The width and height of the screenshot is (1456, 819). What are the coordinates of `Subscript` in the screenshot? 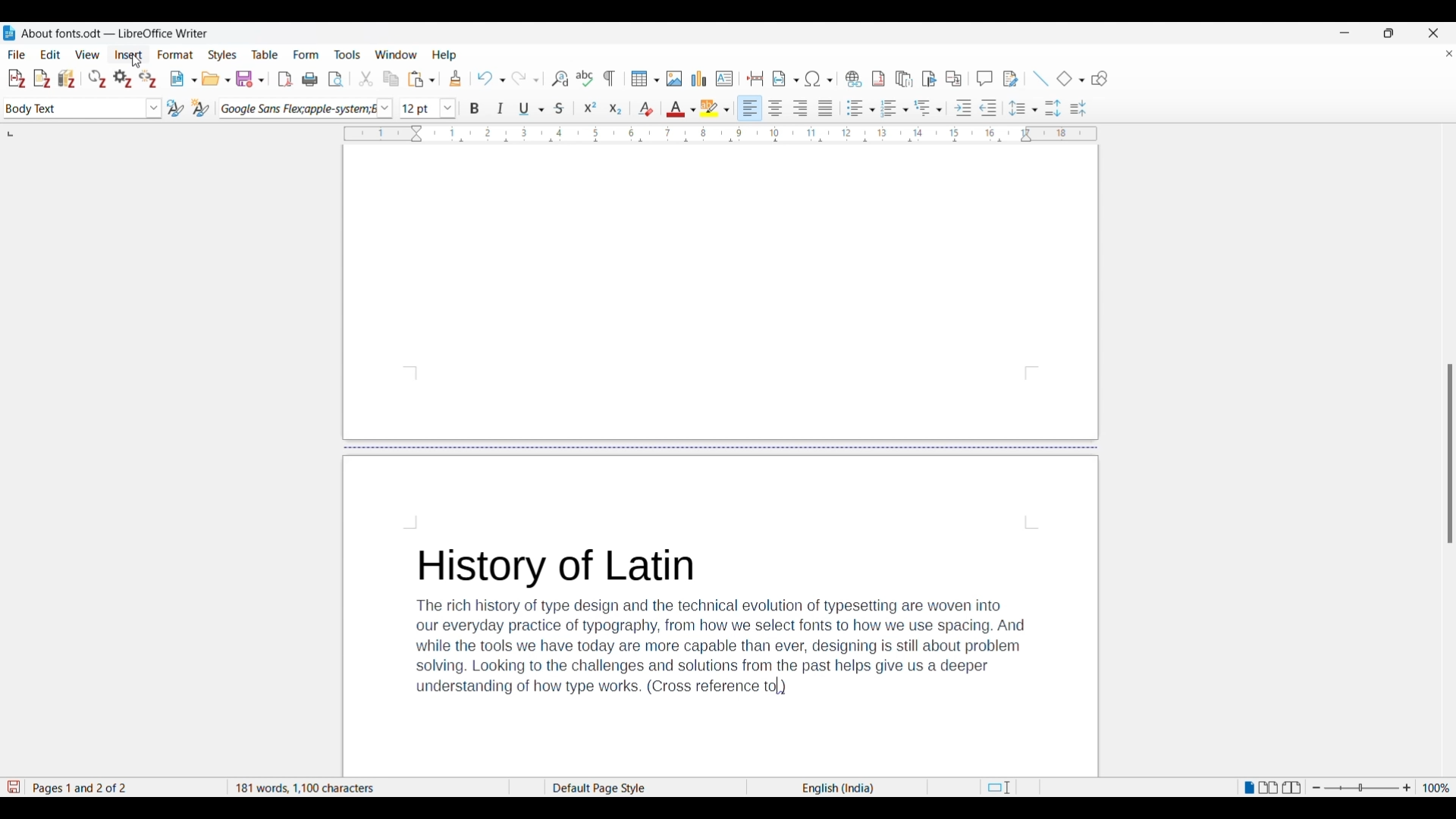 It's located at (616, 109).